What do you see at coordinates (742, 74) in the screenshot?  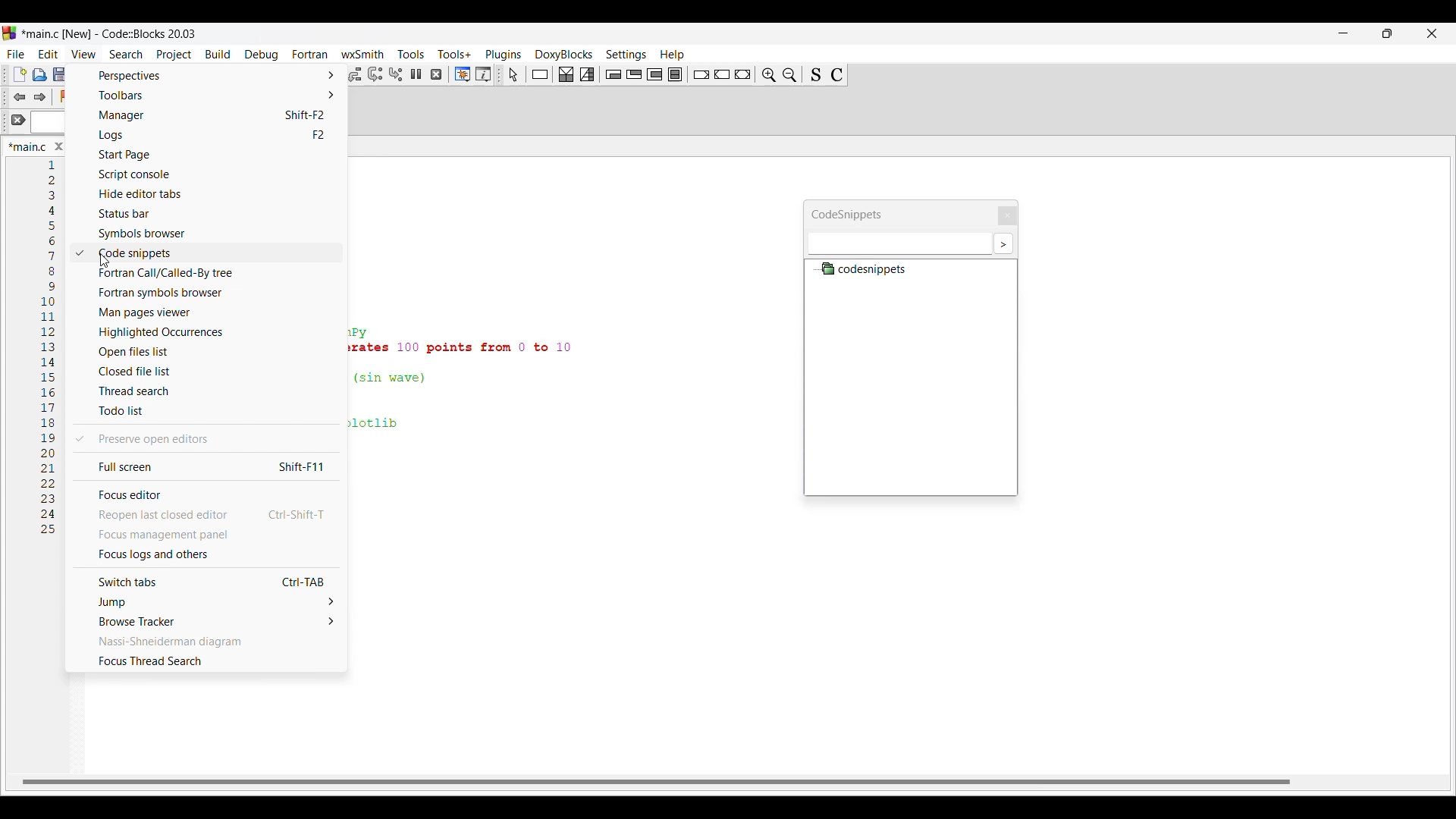 I see `Return instruction` at bounding box center [742, 74].